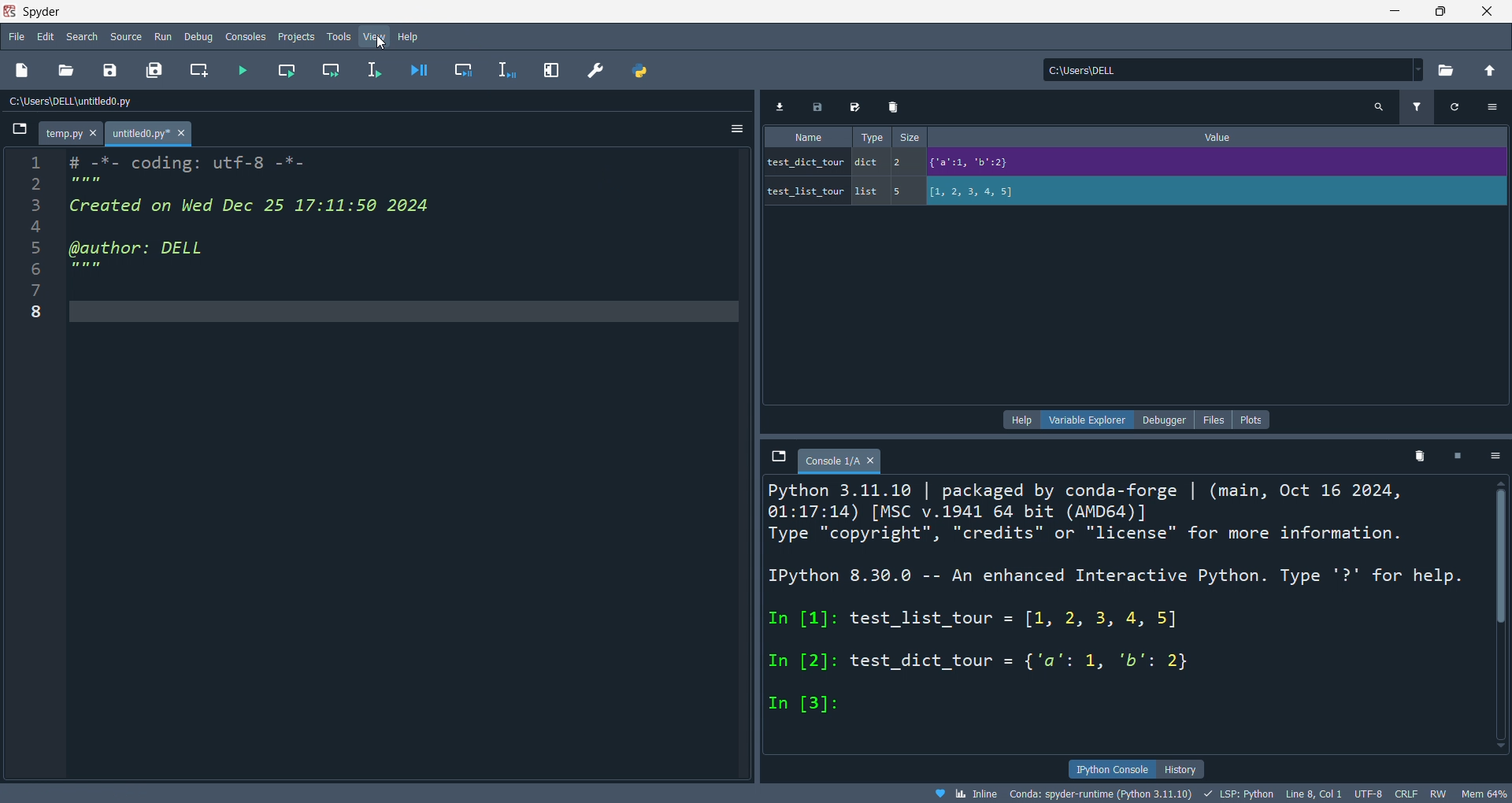  What do you see at coordinates (376, 72) in the screenshot?
I see `run line` at bounding box center [376, 72].